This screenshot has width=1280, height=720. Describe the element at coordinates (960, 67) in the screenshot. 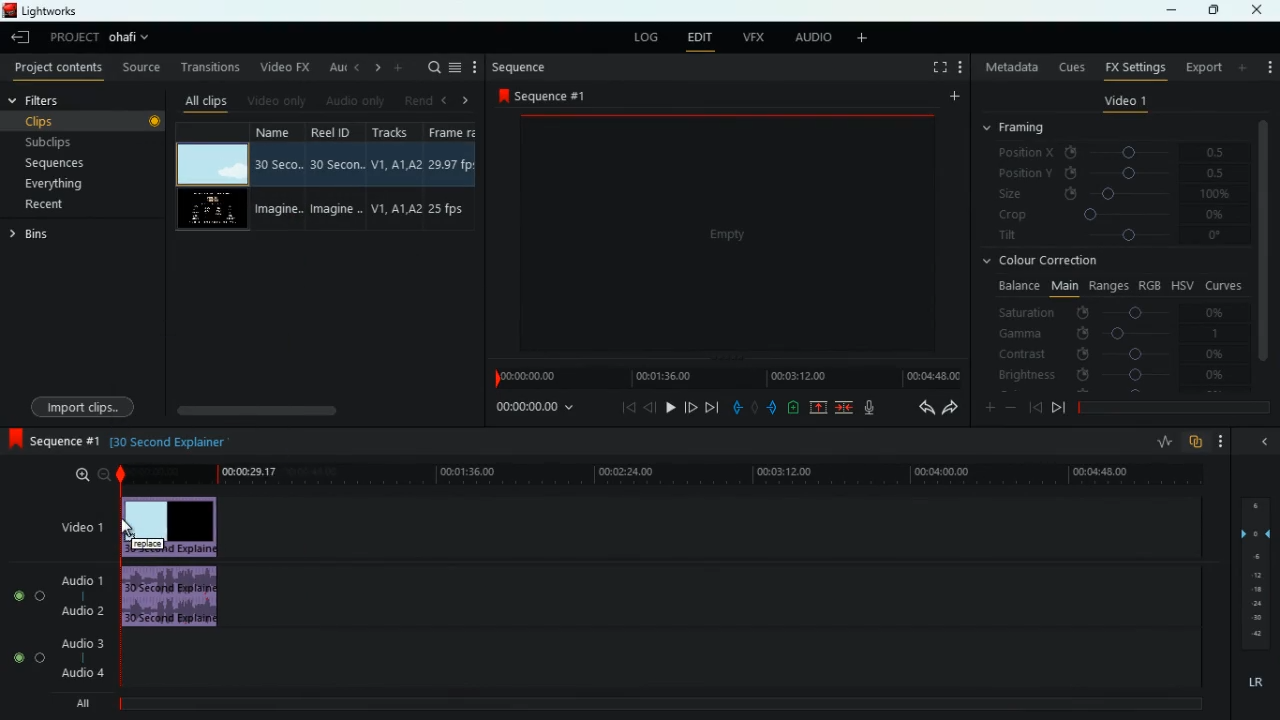

I see `Setting` at that location.